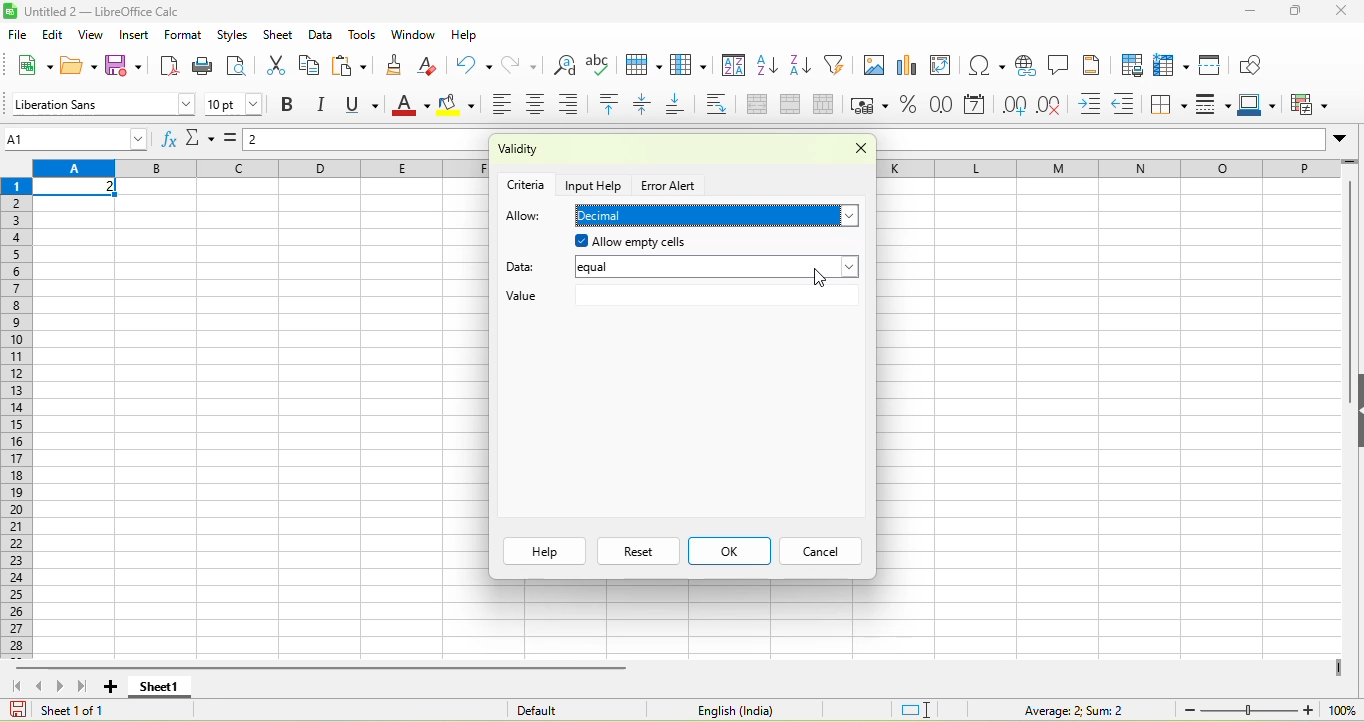  What do you see at coordinates (33, 64) in the screenshot?
I see `new` at bounding box center [33, 64].